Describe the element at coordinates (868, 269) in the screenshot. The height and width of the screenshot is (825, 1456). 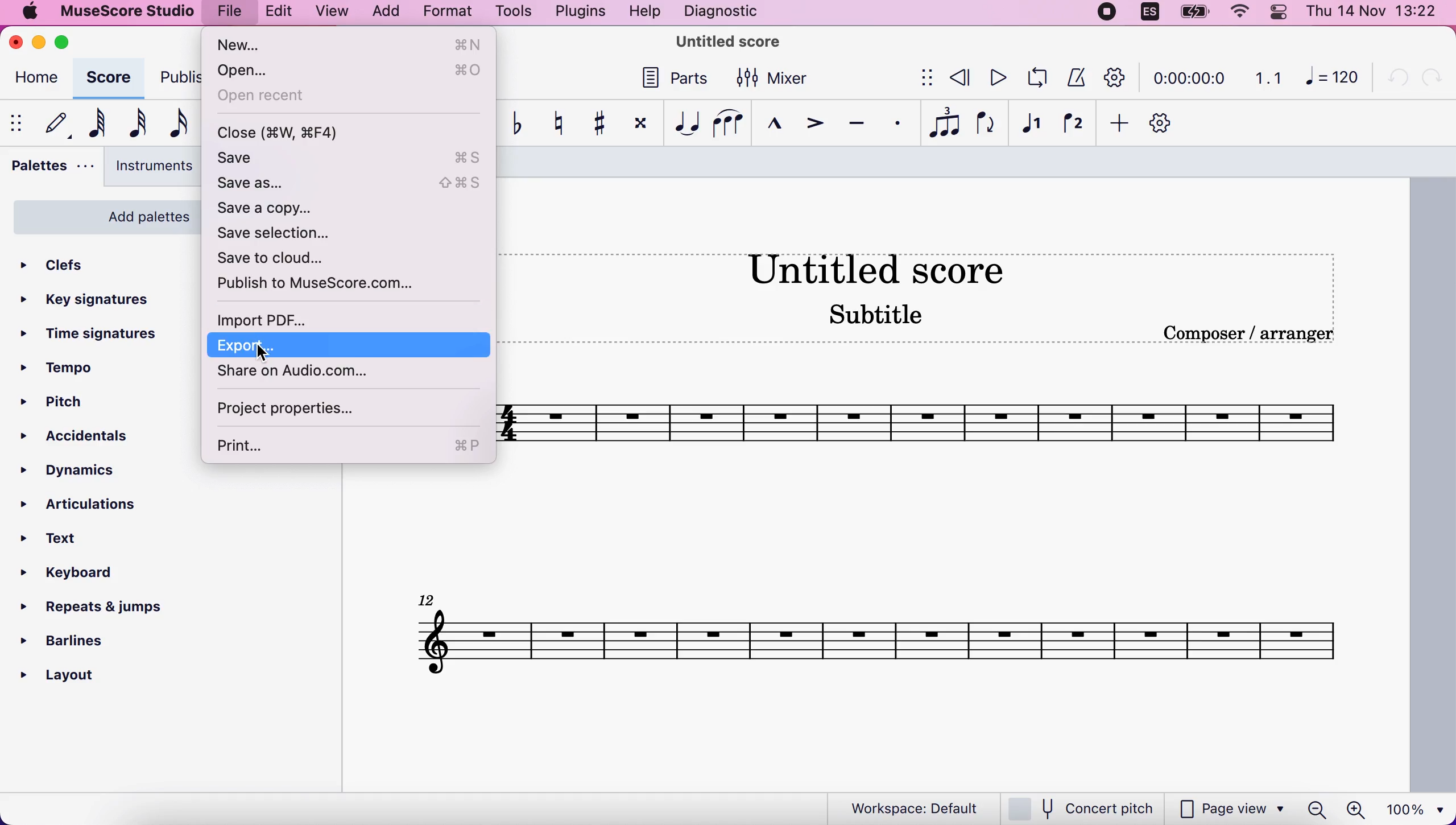
I see `Untitled score` at that location.